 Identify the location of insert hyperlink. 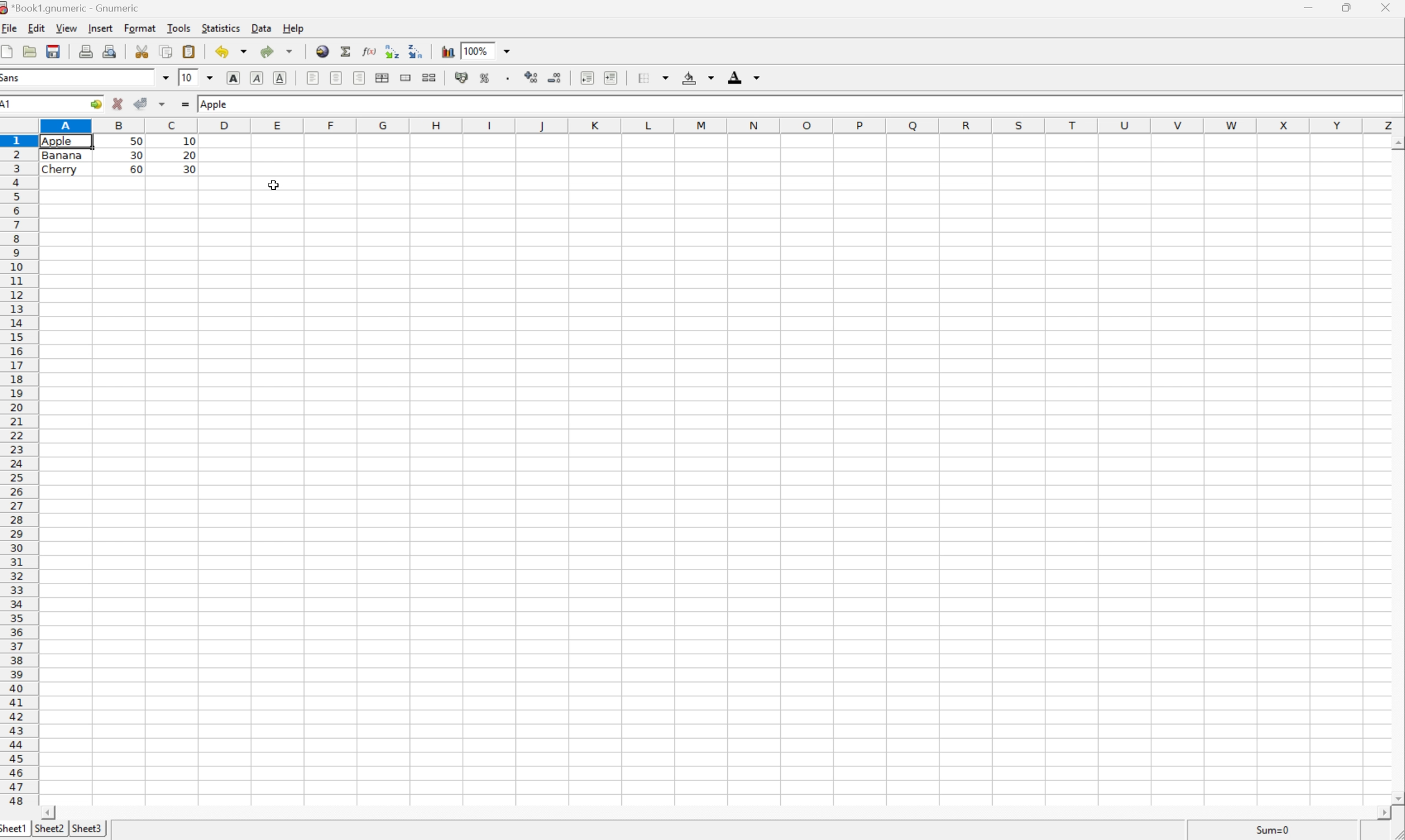
(322, 51).